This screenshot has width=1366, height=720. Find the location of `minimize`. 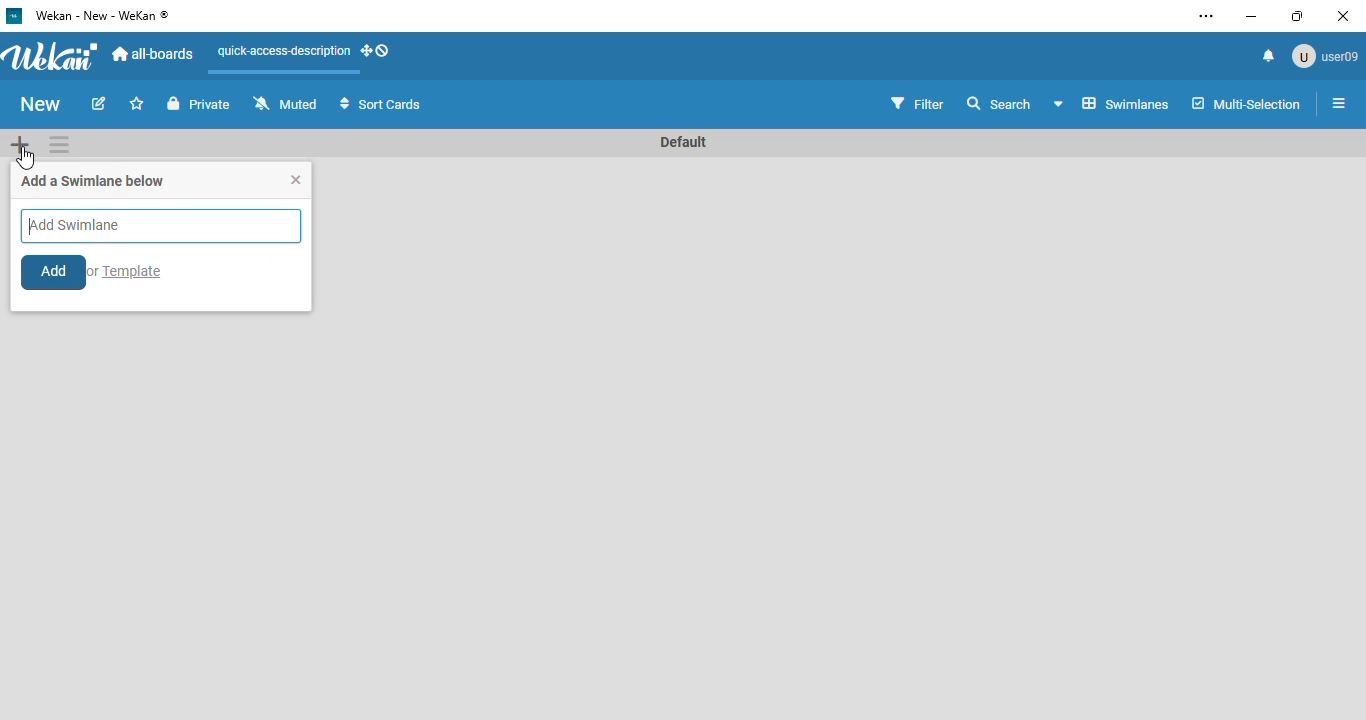

minimize is located at coordinates (1252, 17).